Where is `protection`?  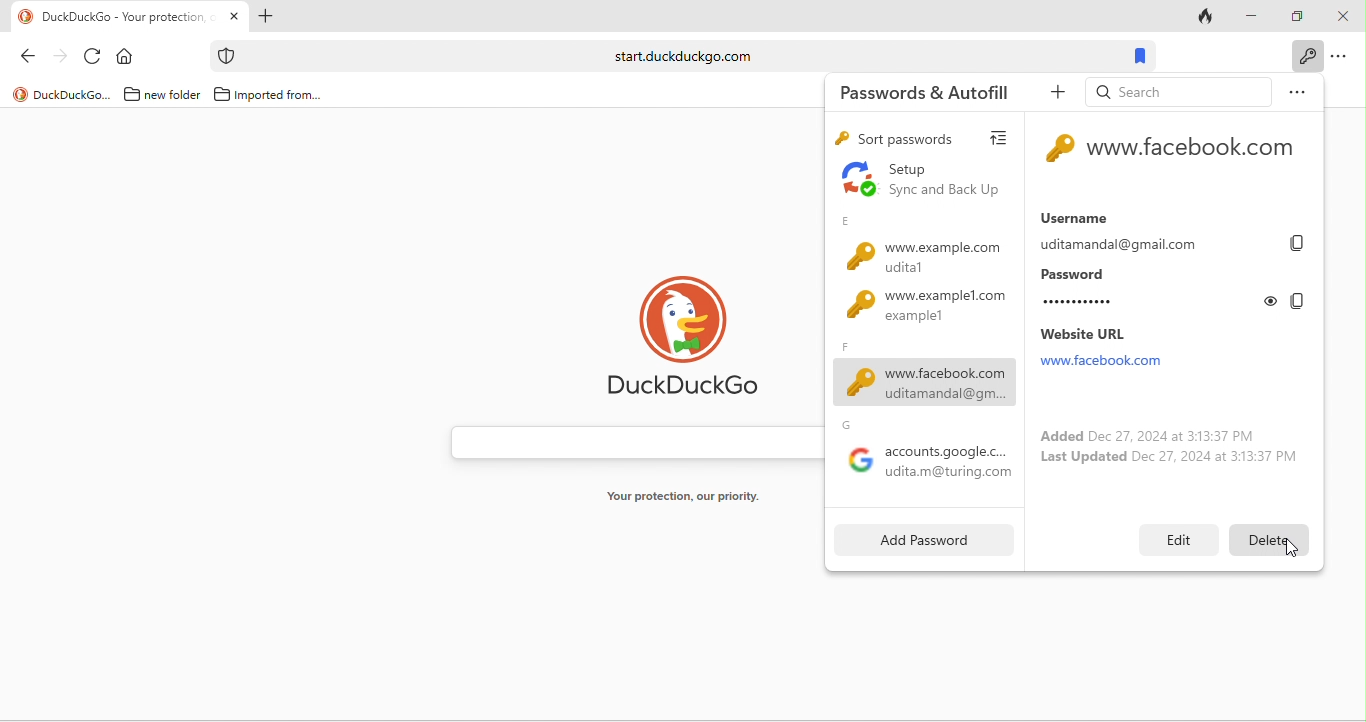
protection is located at coordinates (225, 56).